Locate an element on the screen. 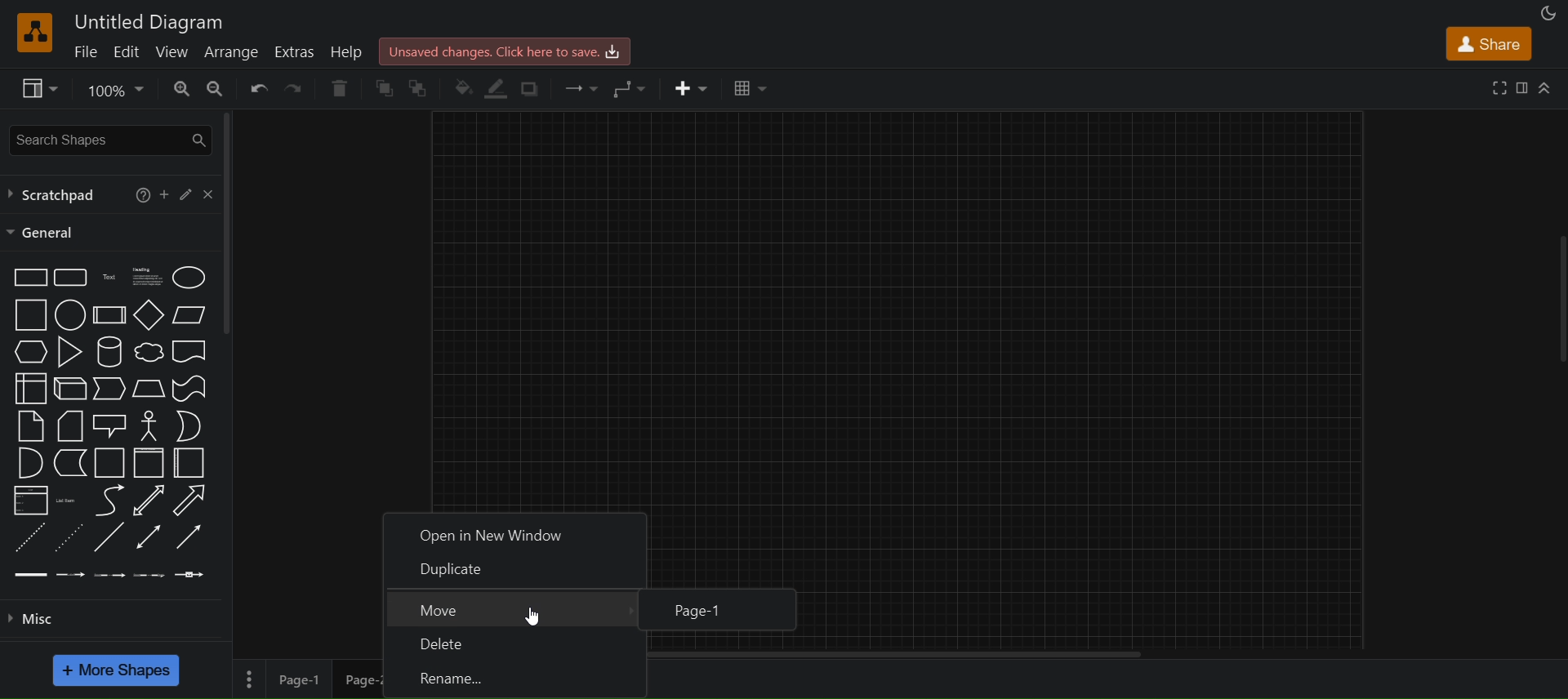 The image size is (1568, 699). actor is located at coordinates (149, 425).